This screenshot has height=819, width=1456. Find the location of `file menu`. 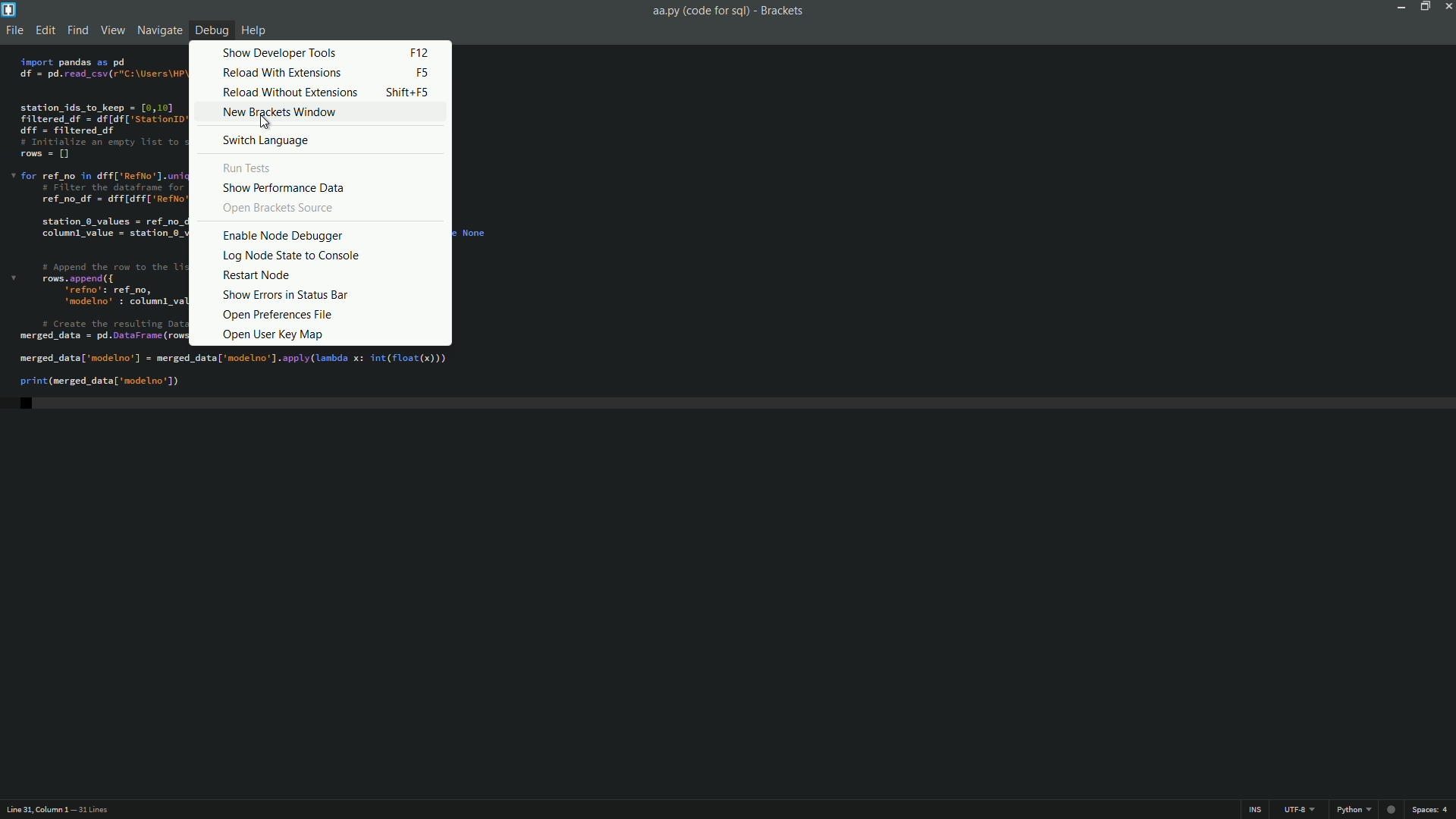

file menu is located at coordinates (15, 30).